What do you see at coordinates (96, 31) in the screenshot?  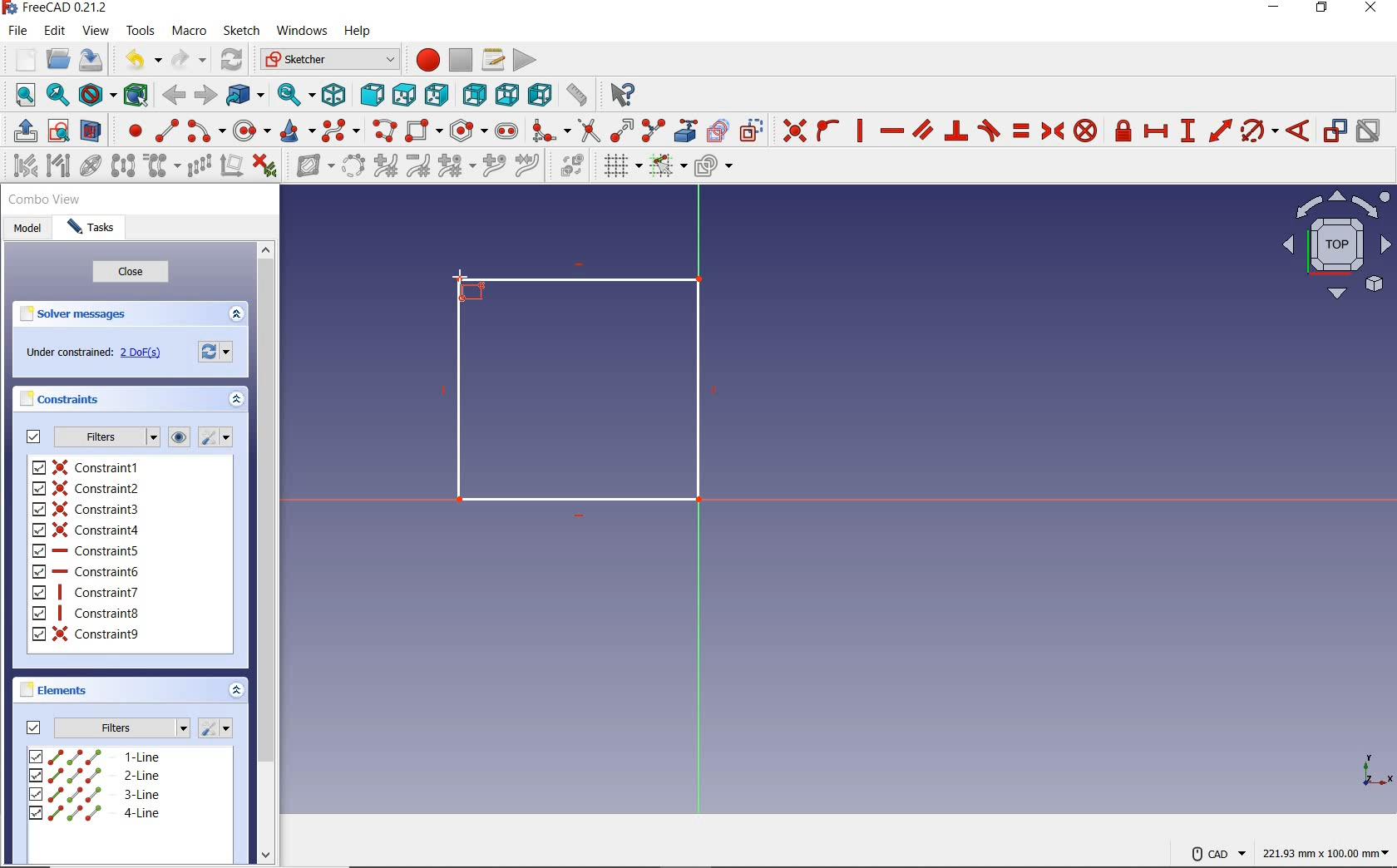 I see `view` at bounding box center [96, 31].